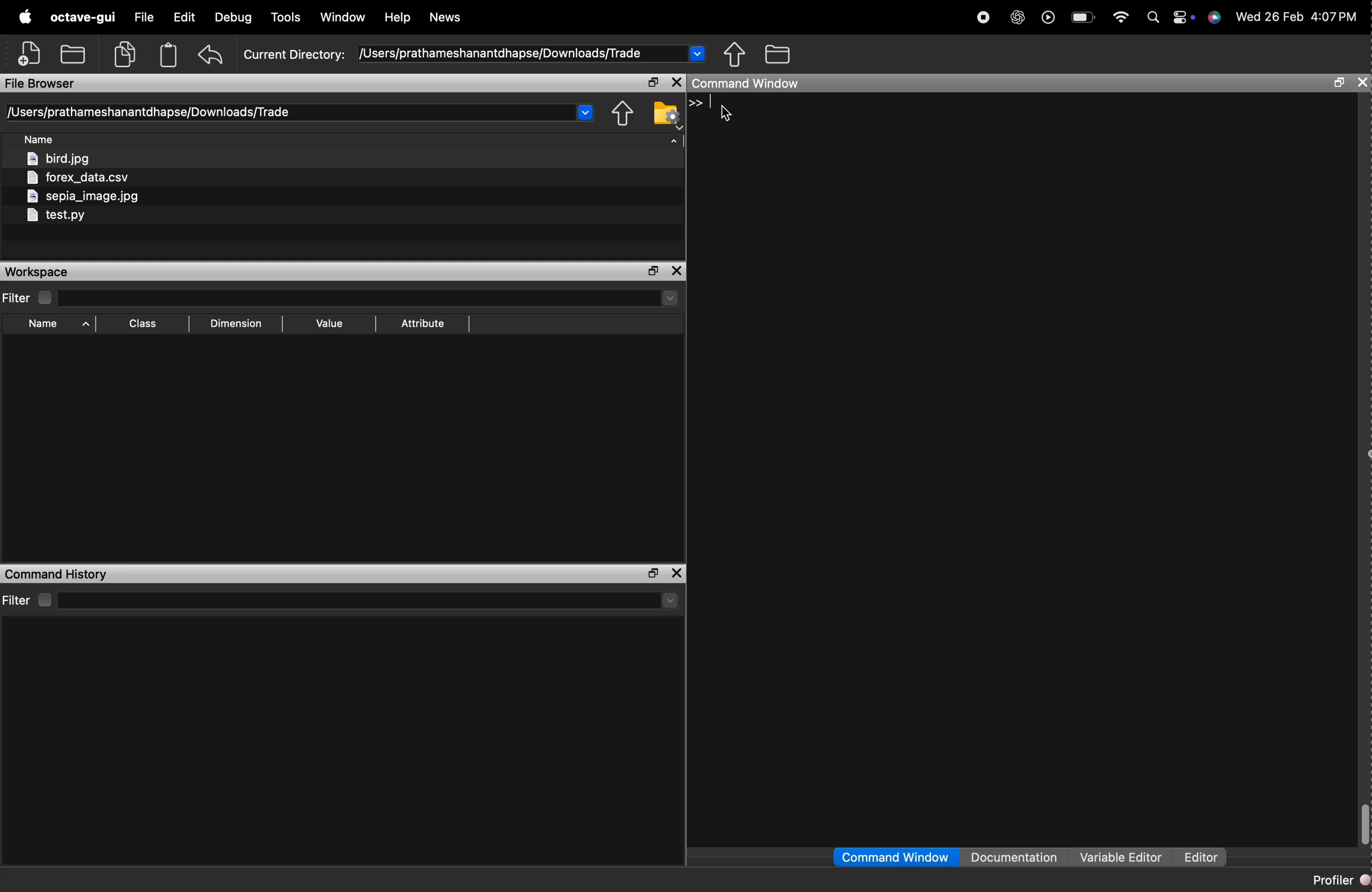  I want to click on share, so click(734, 53).